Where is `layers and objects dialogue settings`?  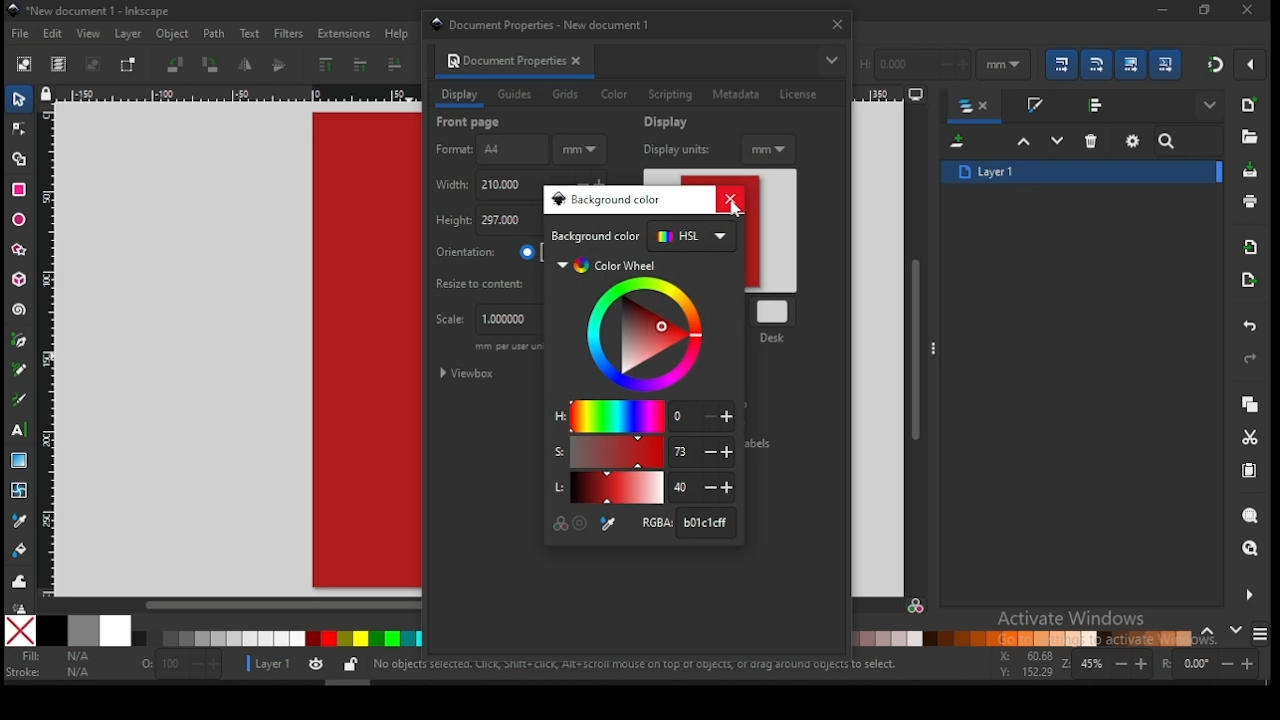
layers and objects dialogue settings is located at coordinates (1133, 141).